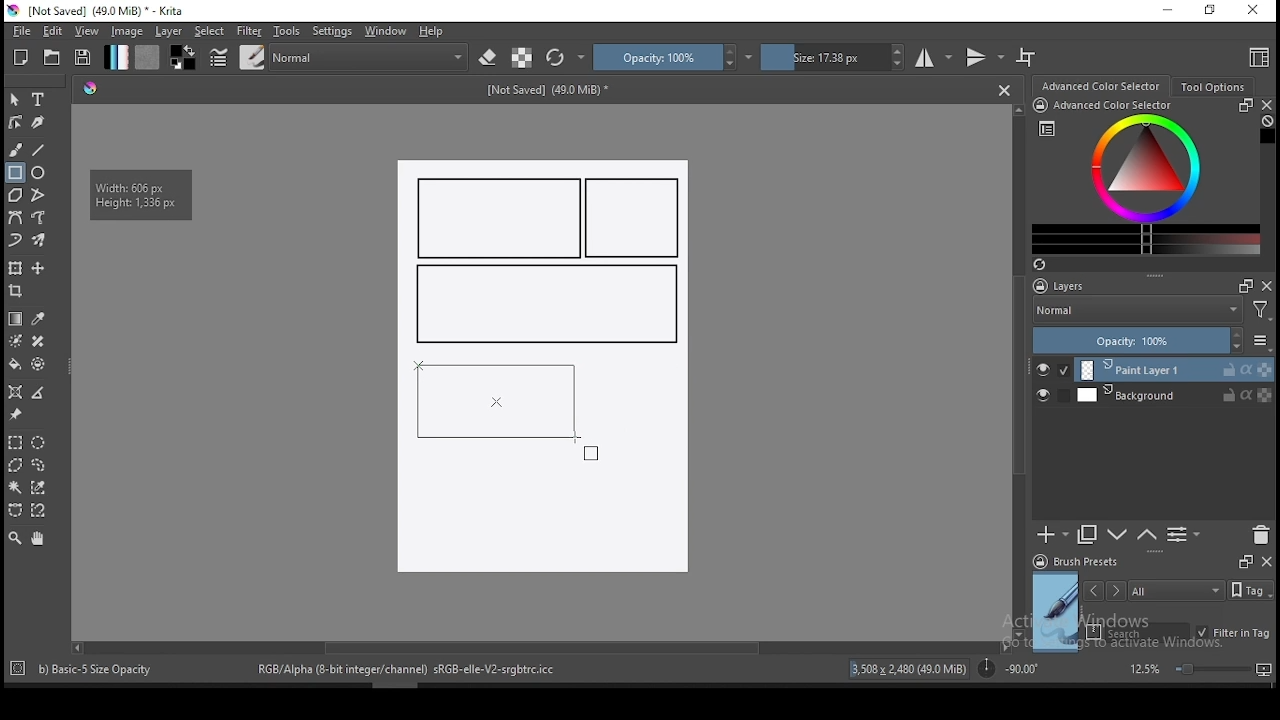 The image size is (1280, 720). Describe the element at coordinates (36, 510) in the screenshot. I see `magnetic curve selection tool` at that location.